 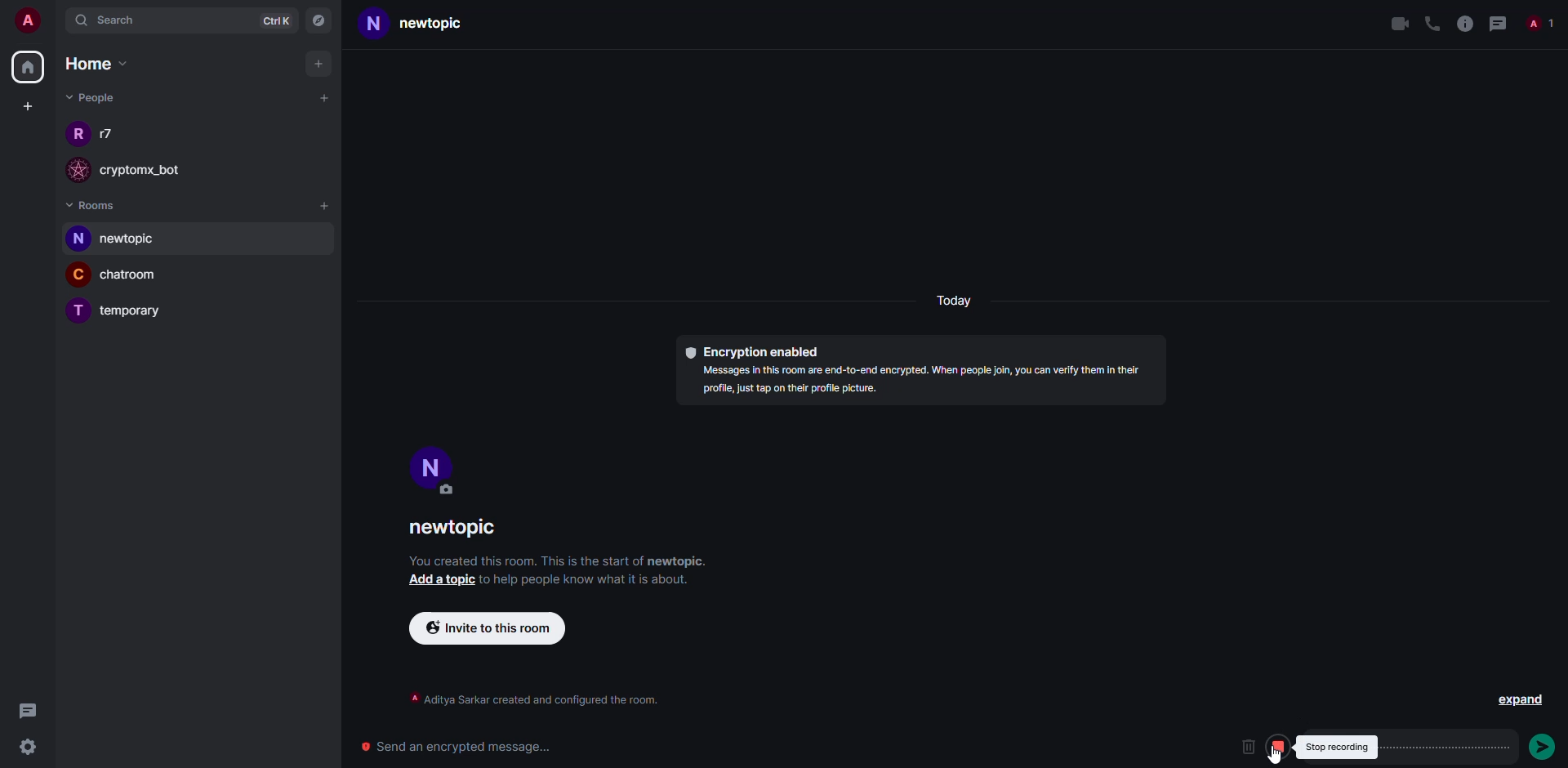 What do you see at coordinates (1337, 746) in the screenshot?
I see `stop recording` at bounding box center [1337, 746].